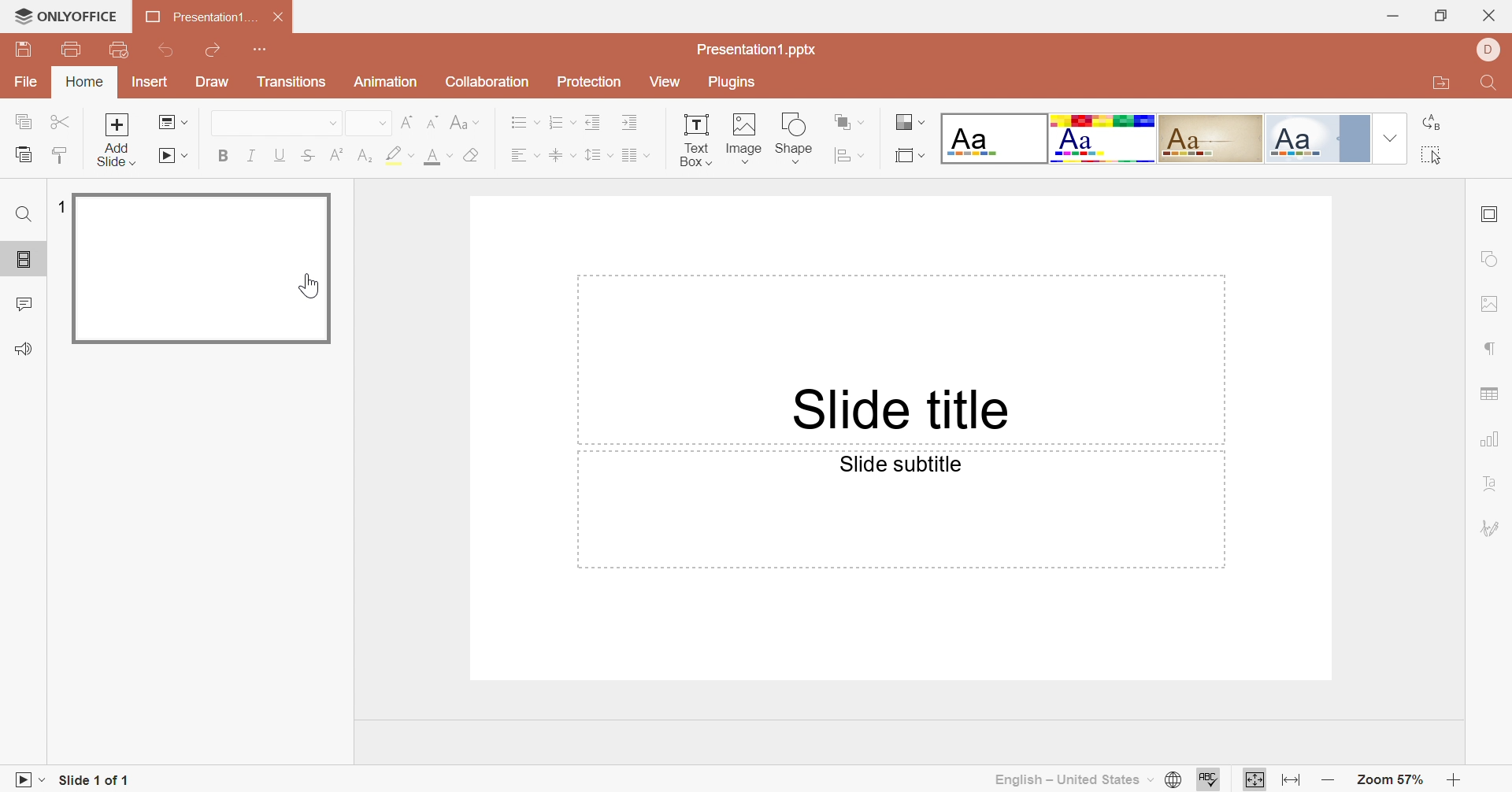 Image resolution: width=1512 pixels, height=792 pixels. I want to click on Increment font size, so click(406, 121).